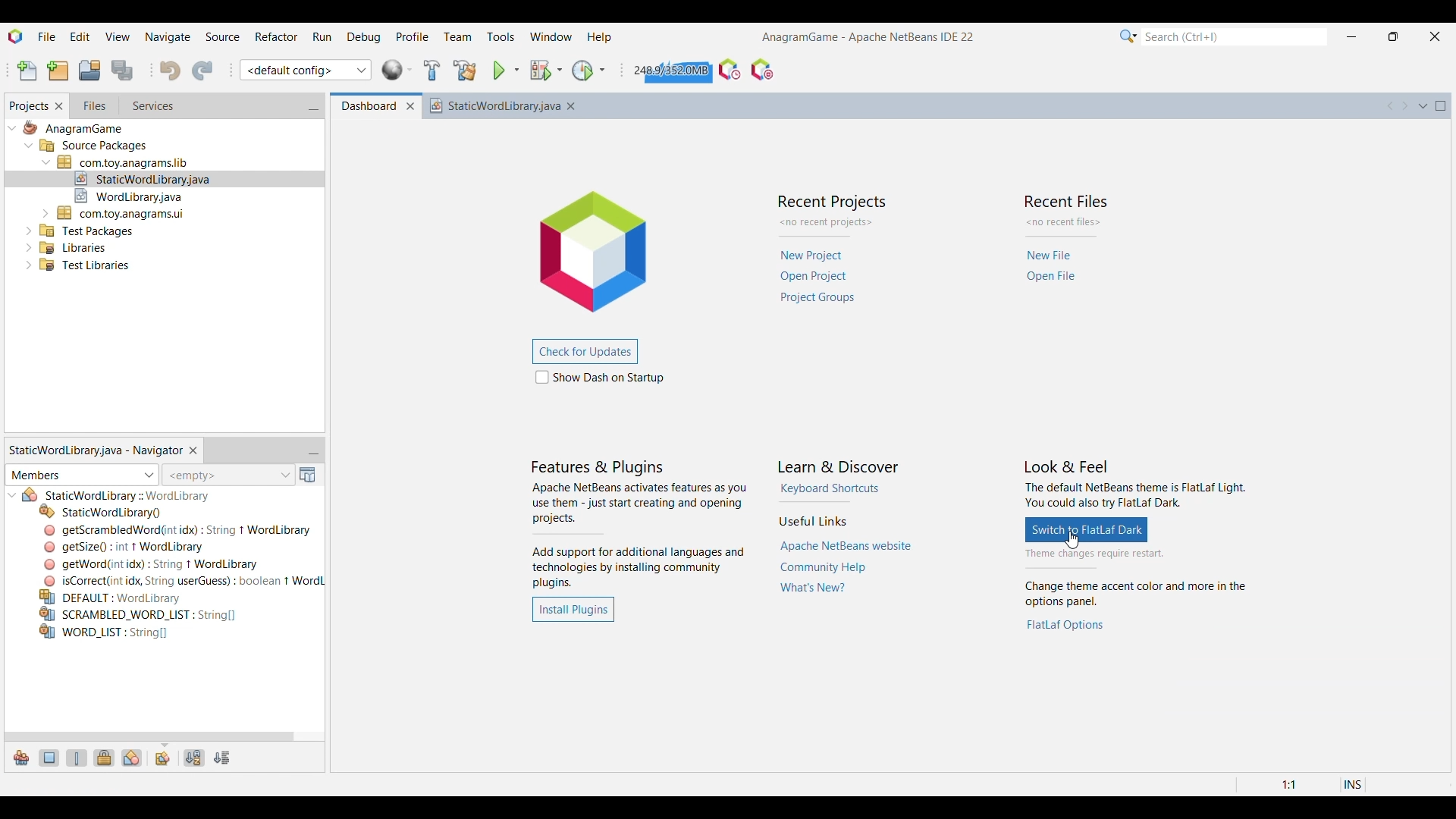  What do you see at coordinates (1441, 106) in the screenshot?
I see `Maximize window` at bounding box center [1441, 106].